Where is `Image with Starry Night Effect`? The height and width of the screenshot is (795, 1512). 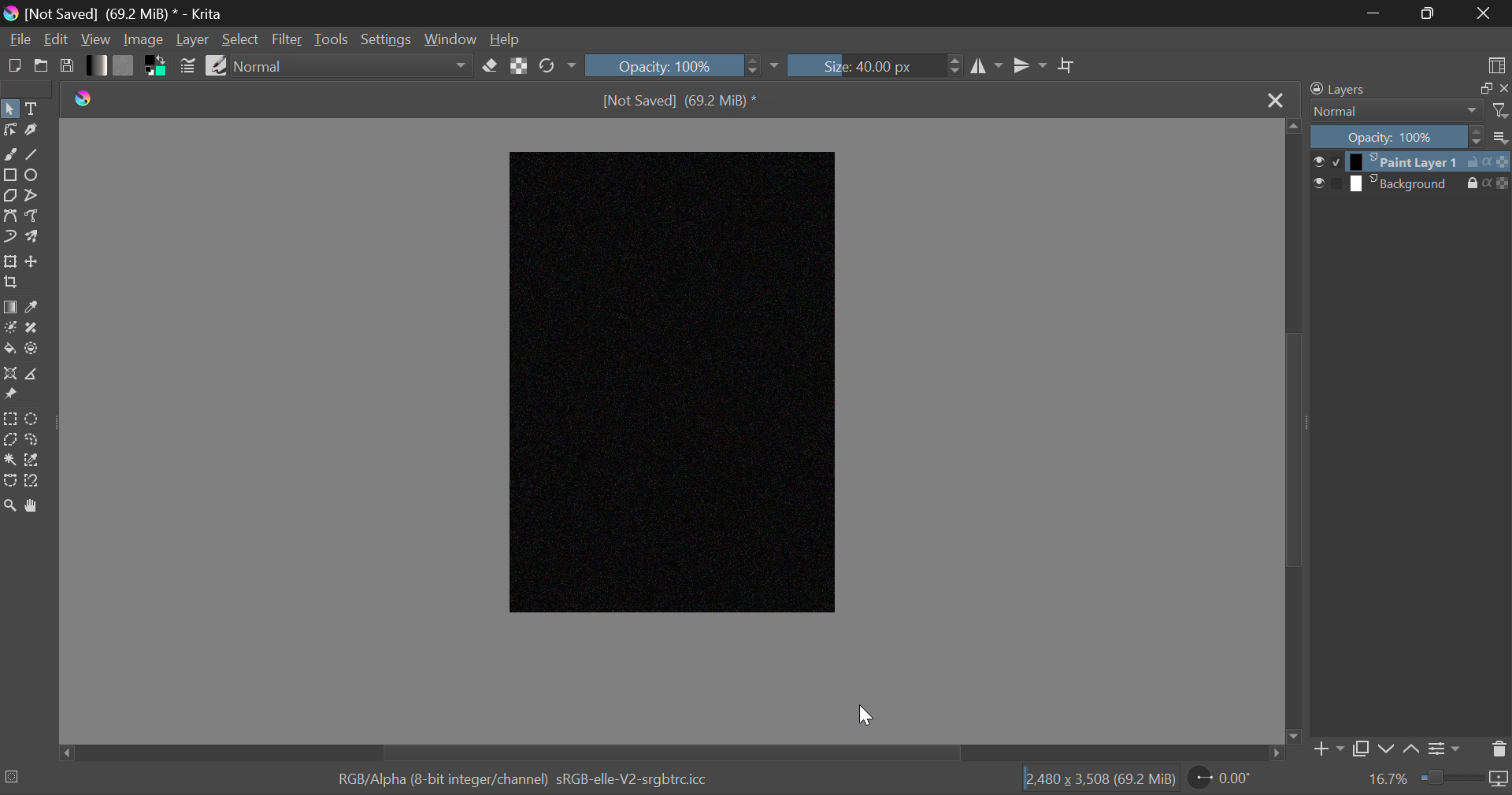 Image with Starry Night Effect is located at coordinates (675, 383).